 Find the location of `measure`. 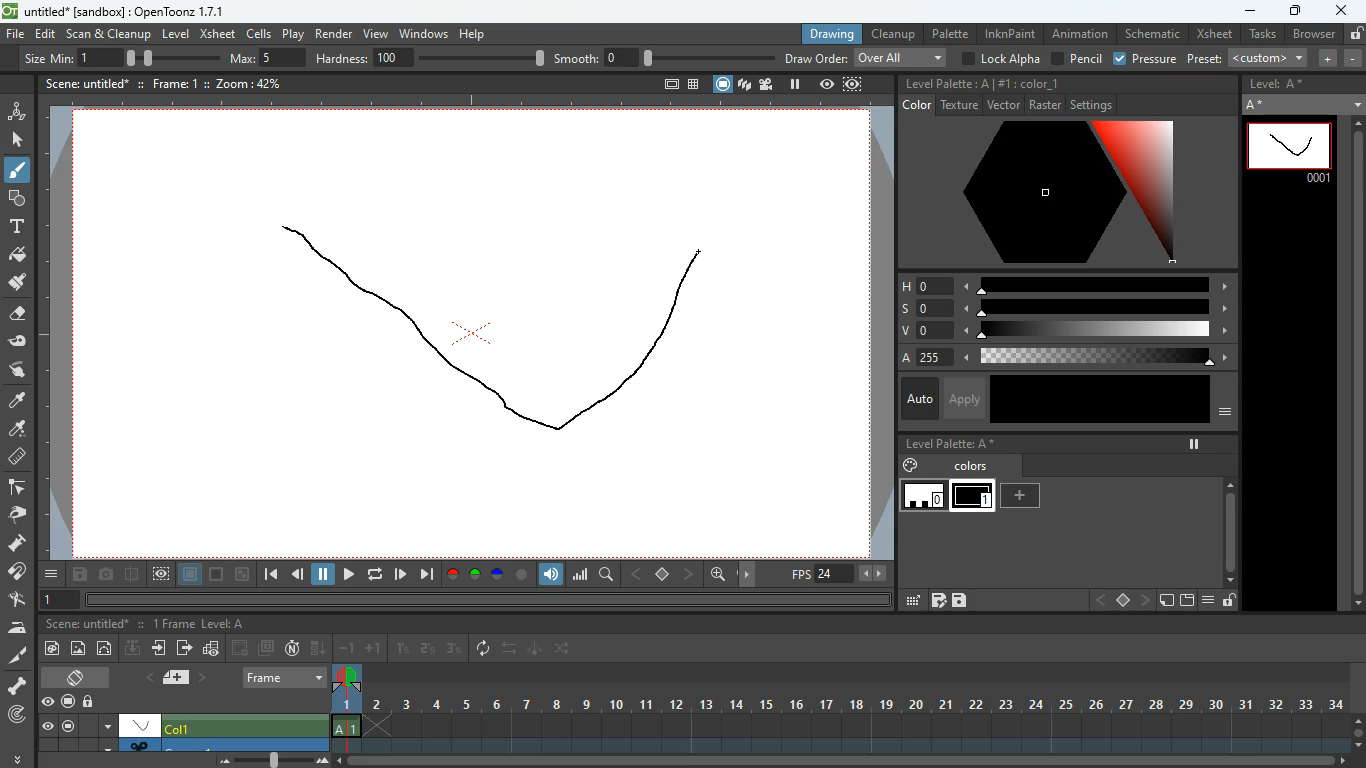

measure is located at coordinates (16, 458).